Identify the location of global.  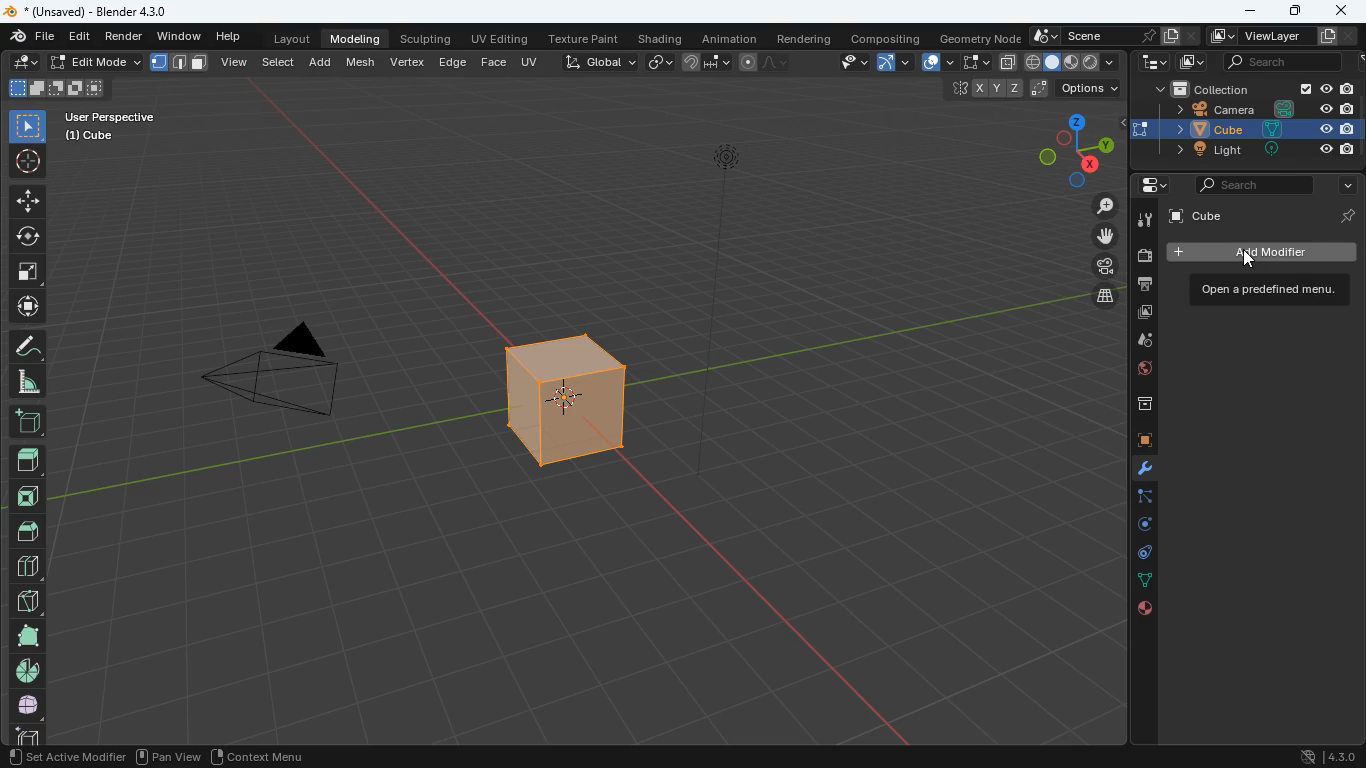
(592, 63).